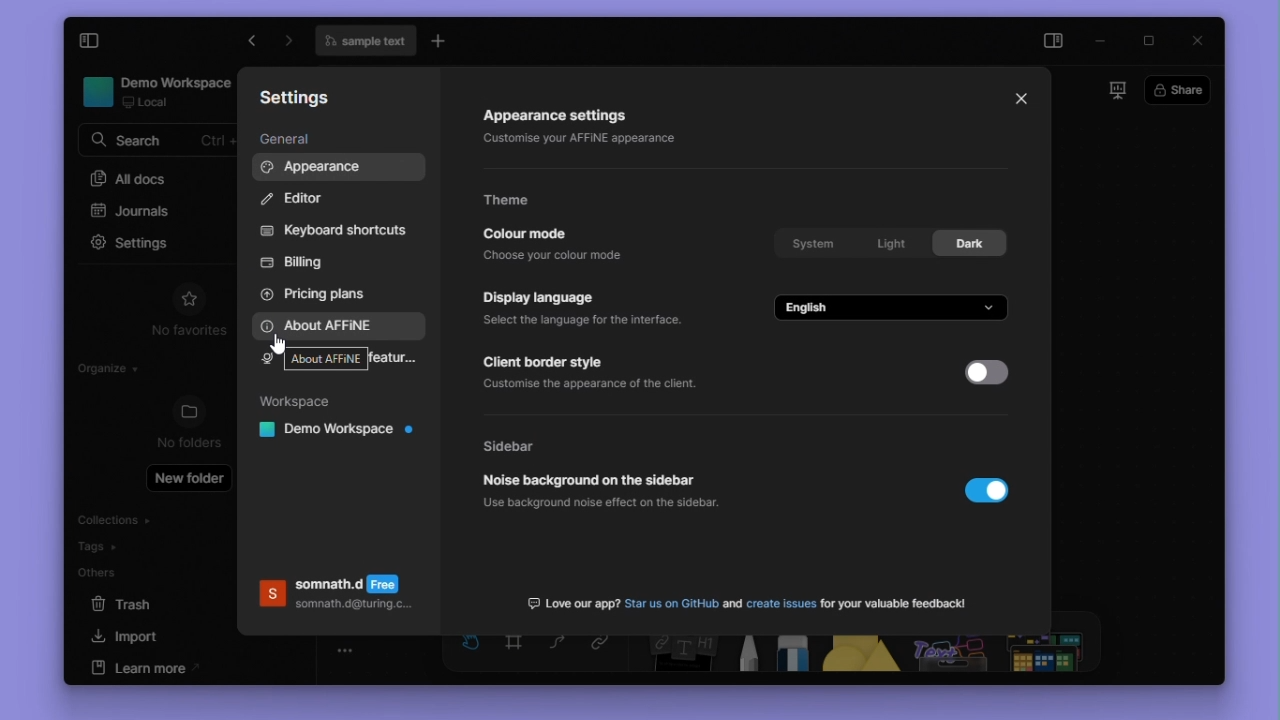 Image resolution: width=1280 pixels, height=720 pixels. Describe the element at coordinates (609, 653) in the screenshot. I see `link` at that location.